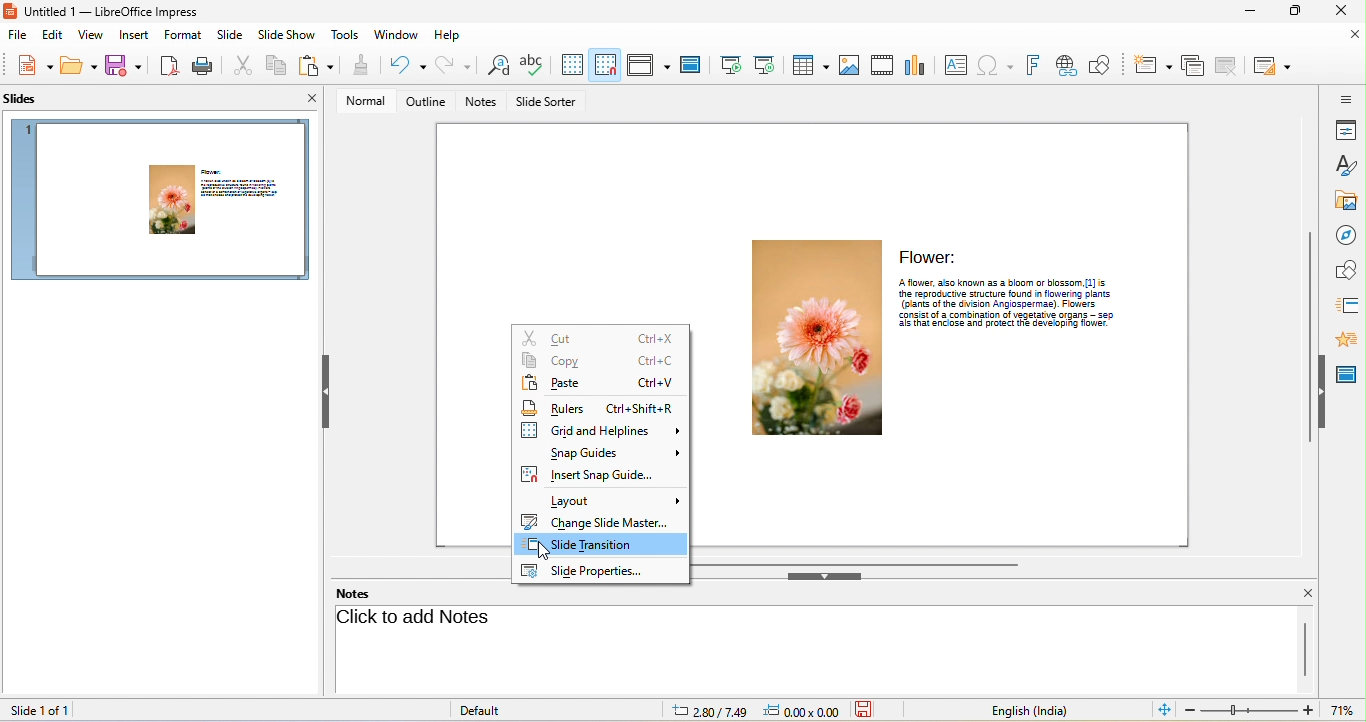 Image resolution: width=1366 pixels, height=722 pixels. What do you see at coordinates (601, 433) in the screenshot?
I see `grid and helplines` at bounding box center [601, 433].